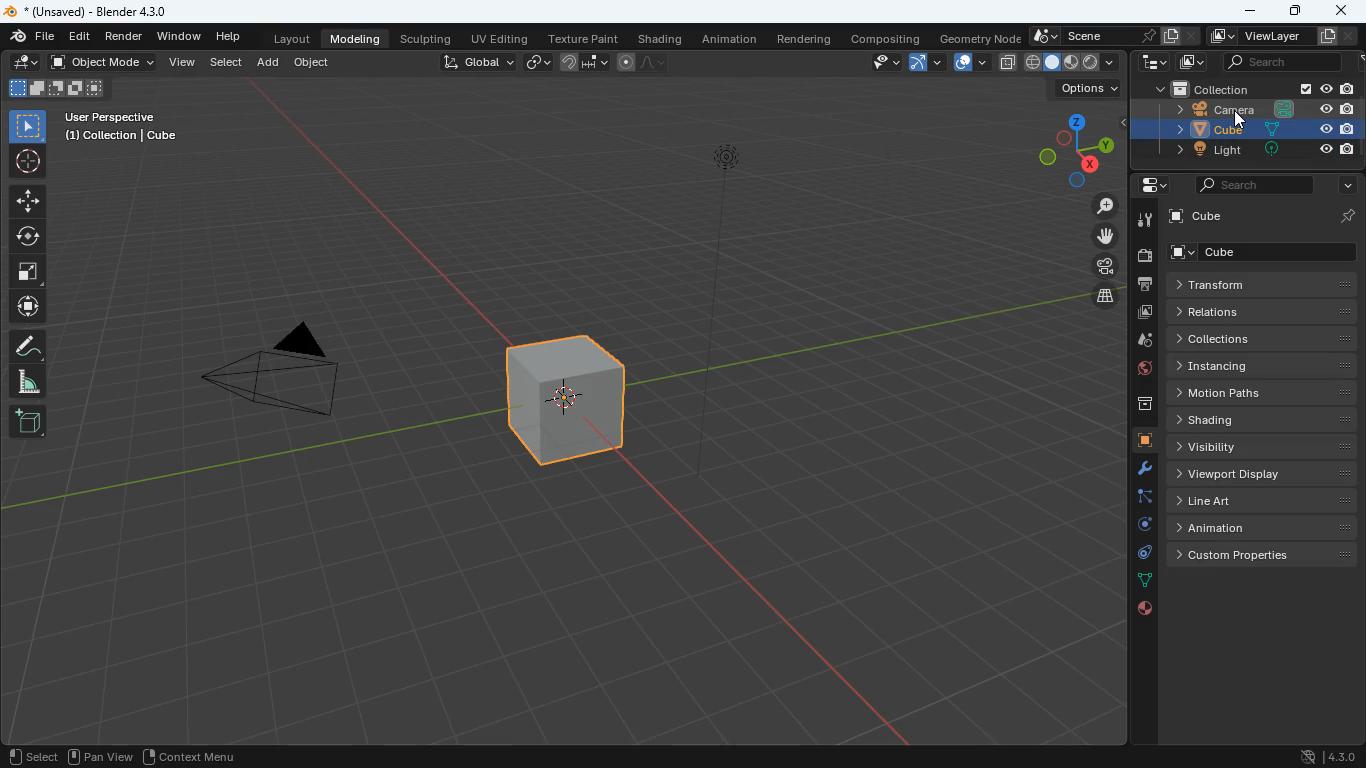  What do you see at coordinates (28, 37) in the screenshot?
I see `blender` at bounding box center [28, 37].